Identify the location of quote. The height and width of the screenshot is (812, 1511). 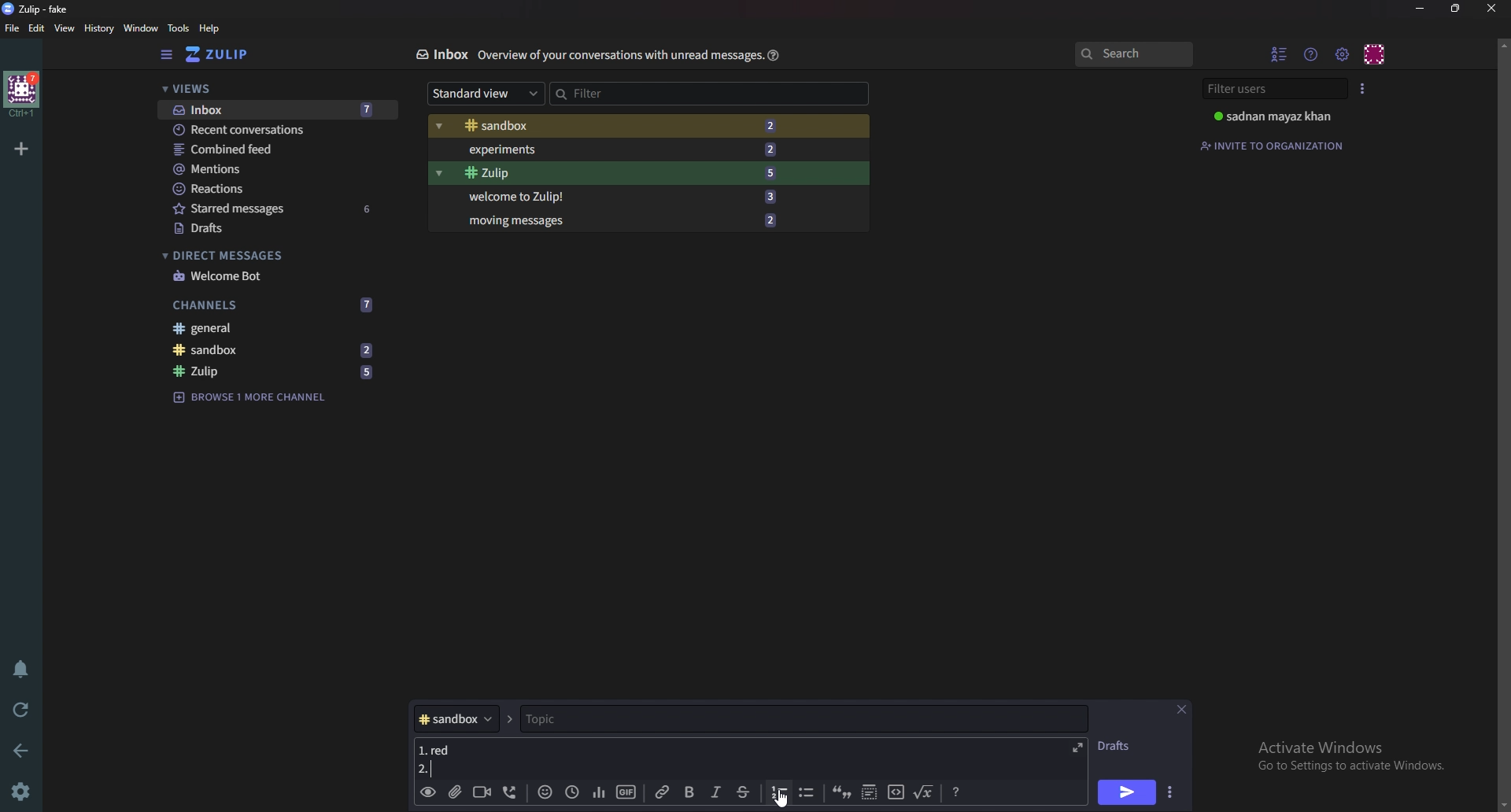
(843, 794).